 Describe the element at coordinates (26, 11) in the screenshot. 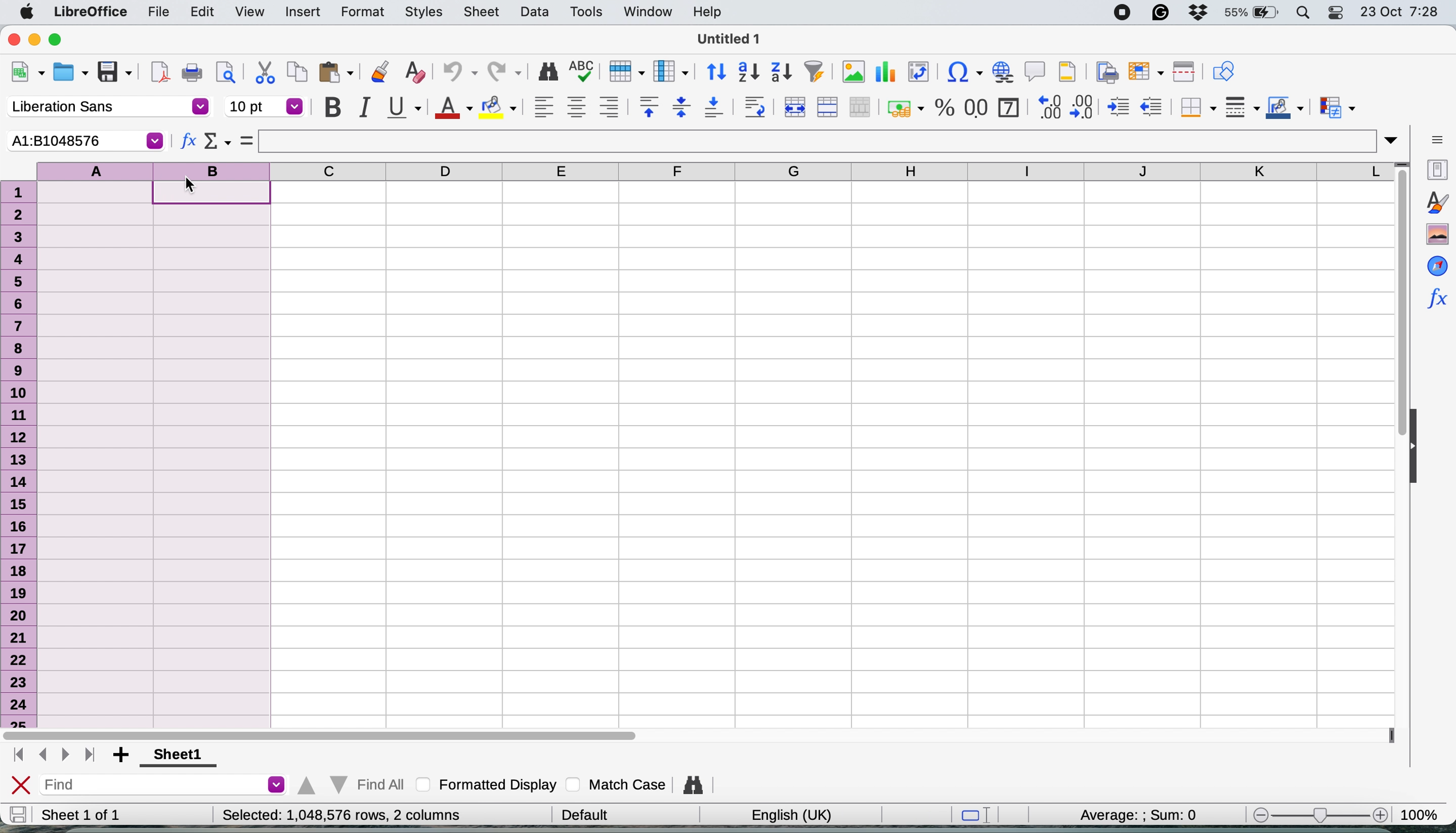

I see `system logo` at that location.